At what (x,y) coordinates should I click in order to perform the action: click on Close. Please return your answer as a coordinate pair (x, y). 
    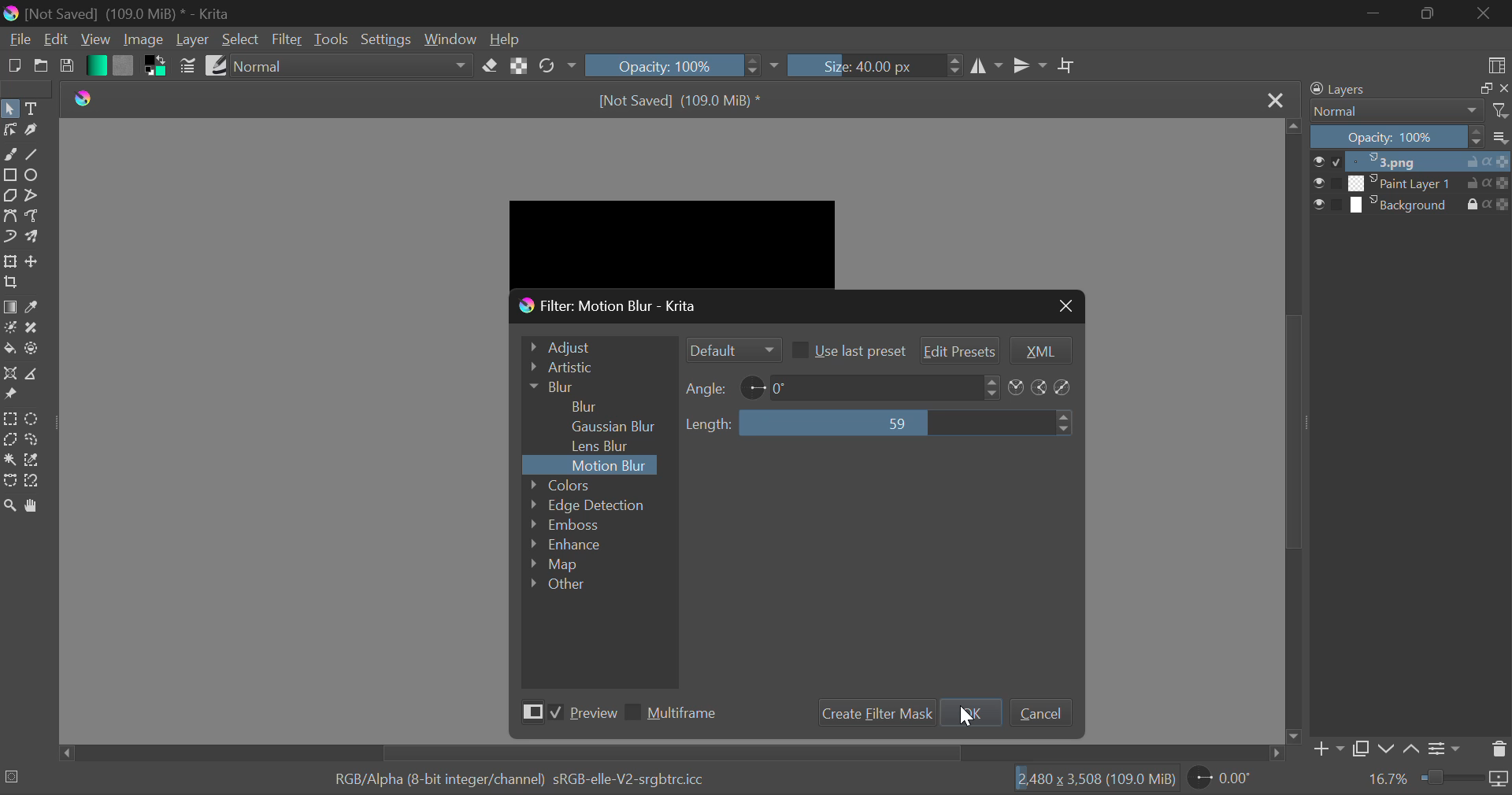
    Looking at the image, I should click on (1277, 102).